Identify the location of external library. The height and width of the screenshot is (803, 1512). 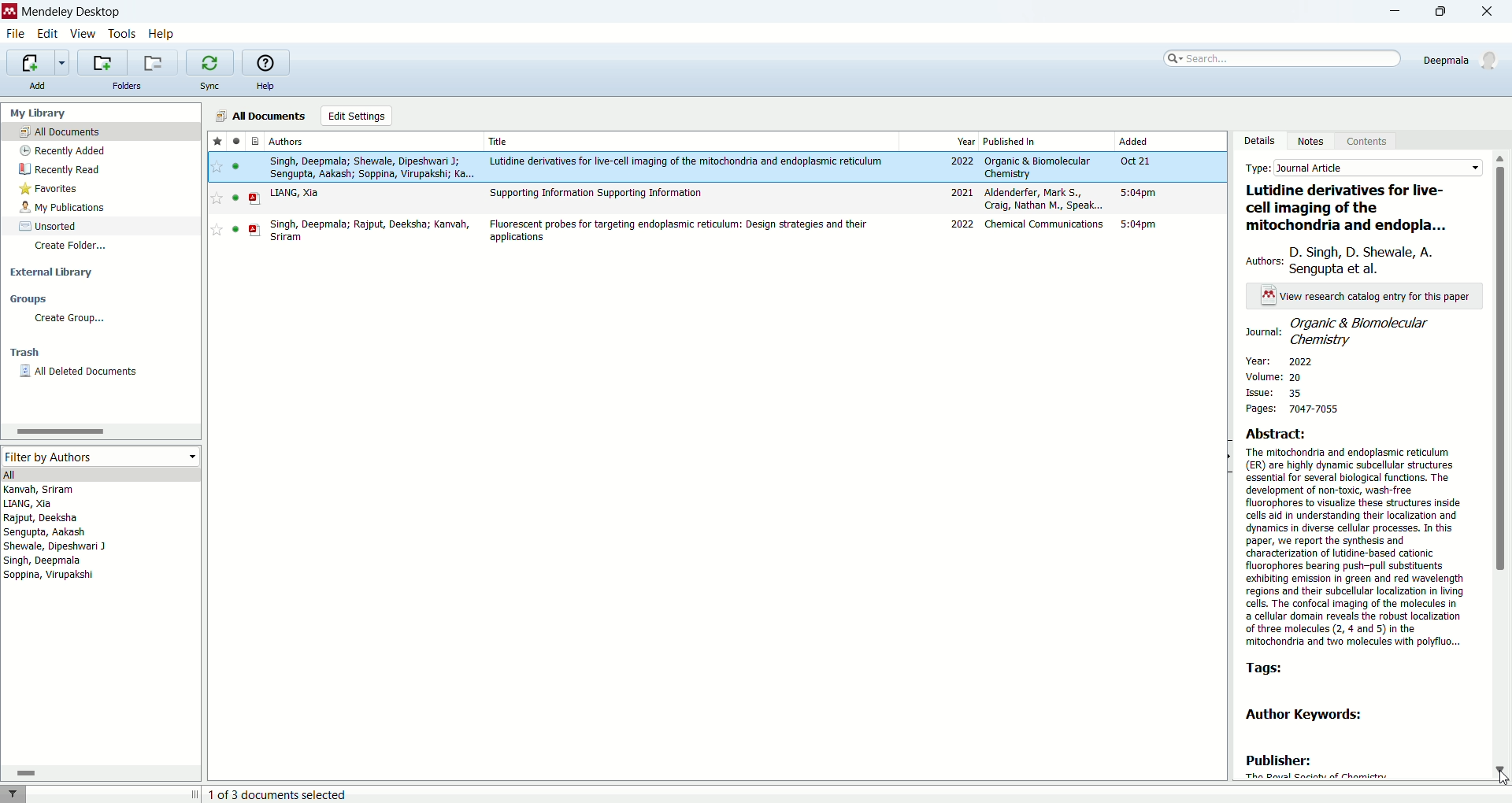
(52, 272).